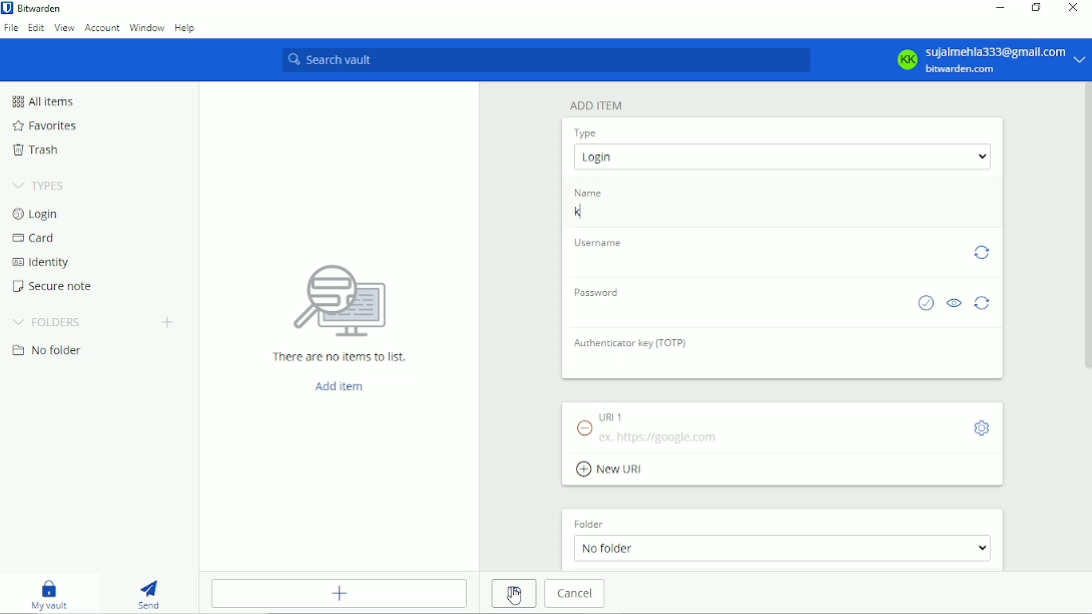  I want to click on All items, so click(45, 101).